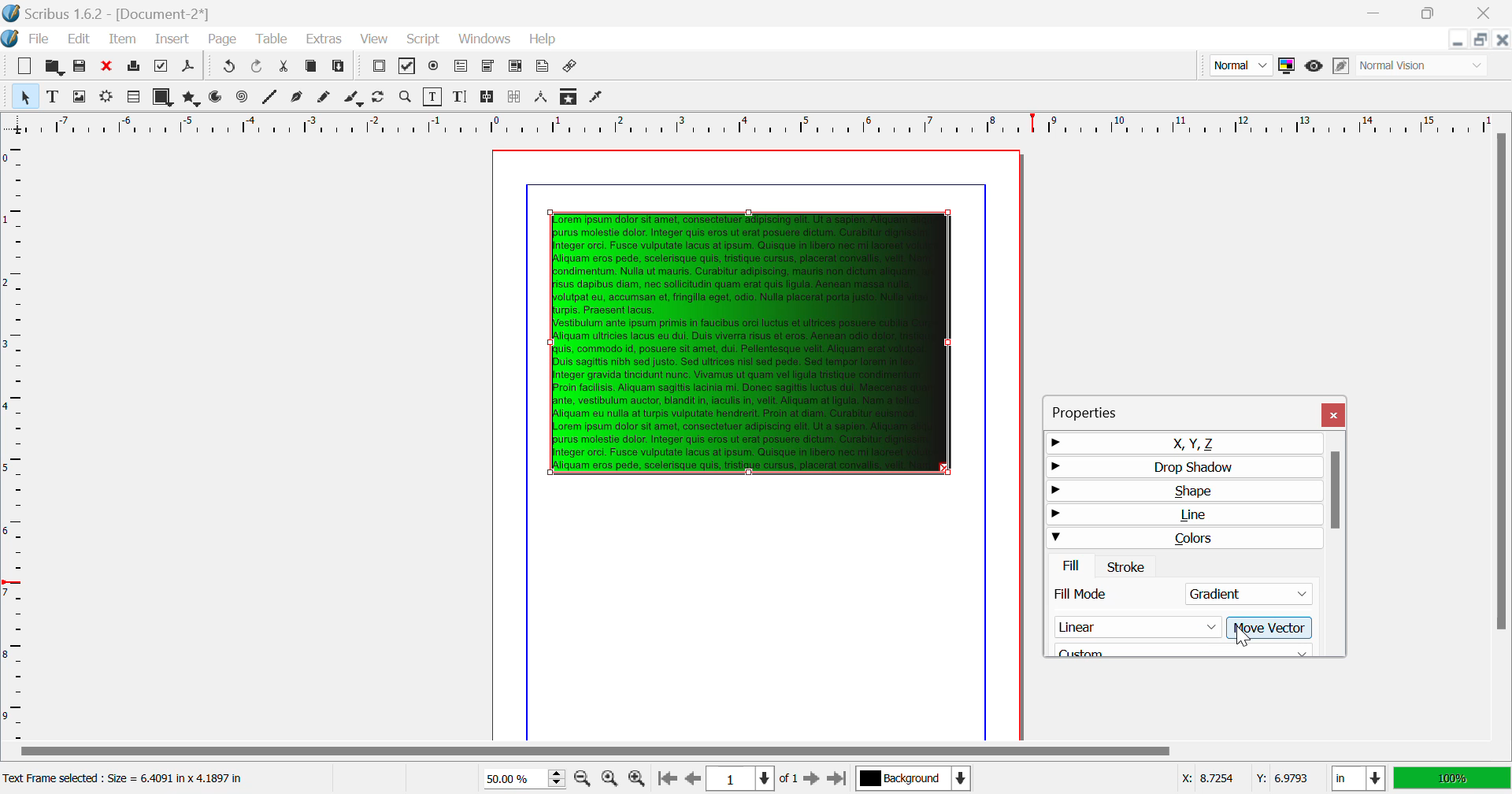  What do you see at coordinates (1378, 13) in the screenshot?
I see `Restore Down` at bounding box center [1378, 13].